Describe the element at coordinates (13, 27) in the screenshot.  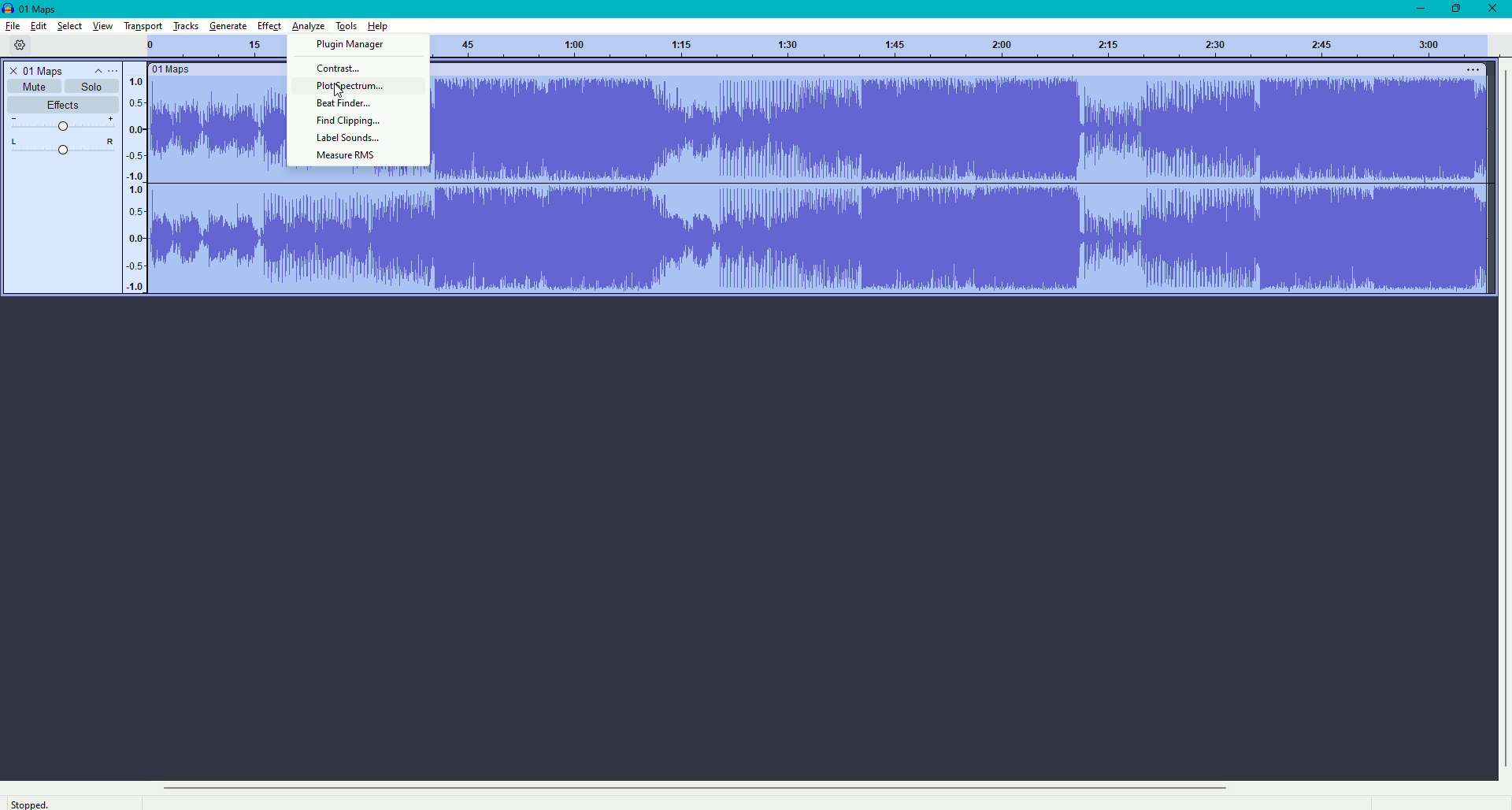
I see `File` at that location.